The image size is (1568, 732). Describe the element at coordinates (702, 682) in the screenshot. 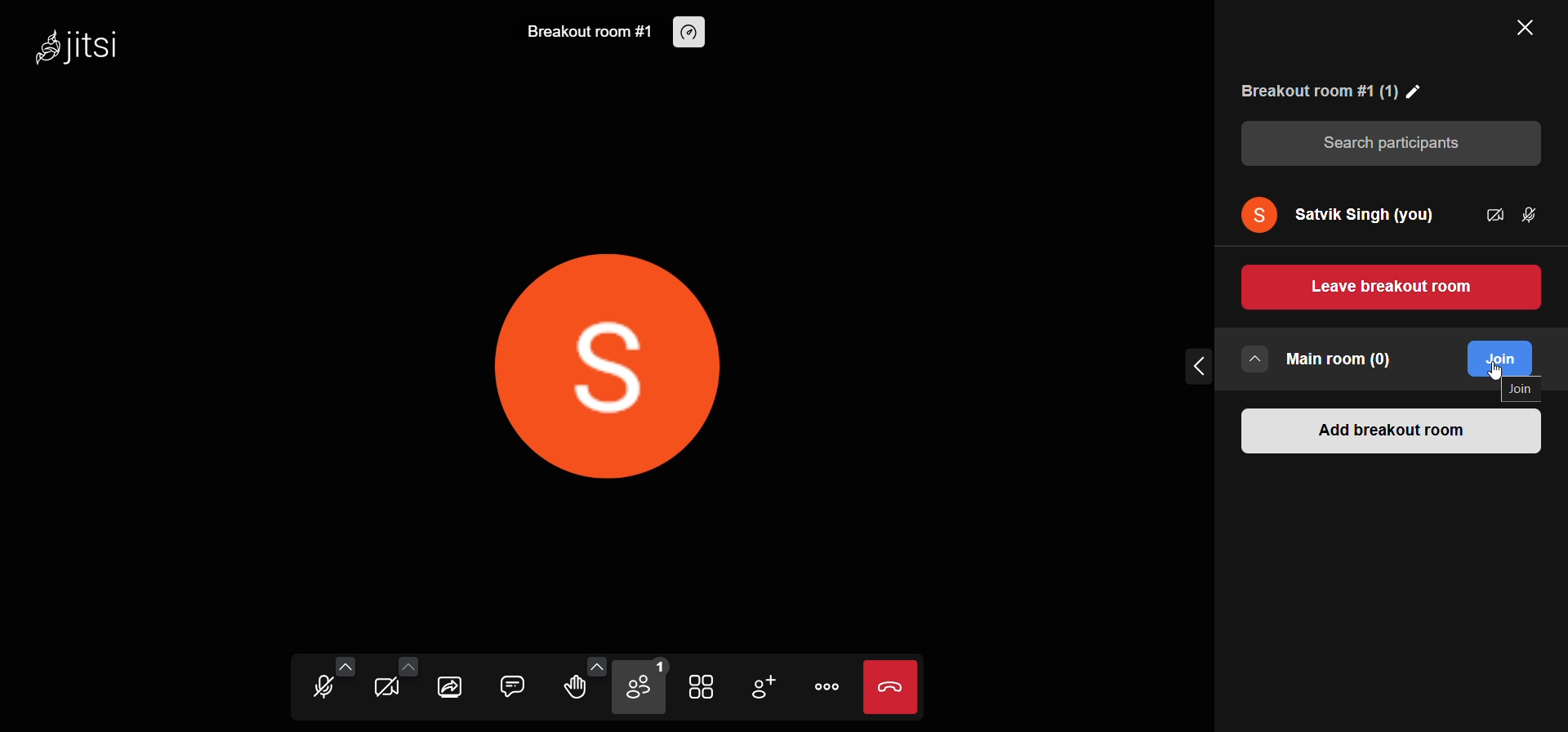

I see `tile view` at that location.